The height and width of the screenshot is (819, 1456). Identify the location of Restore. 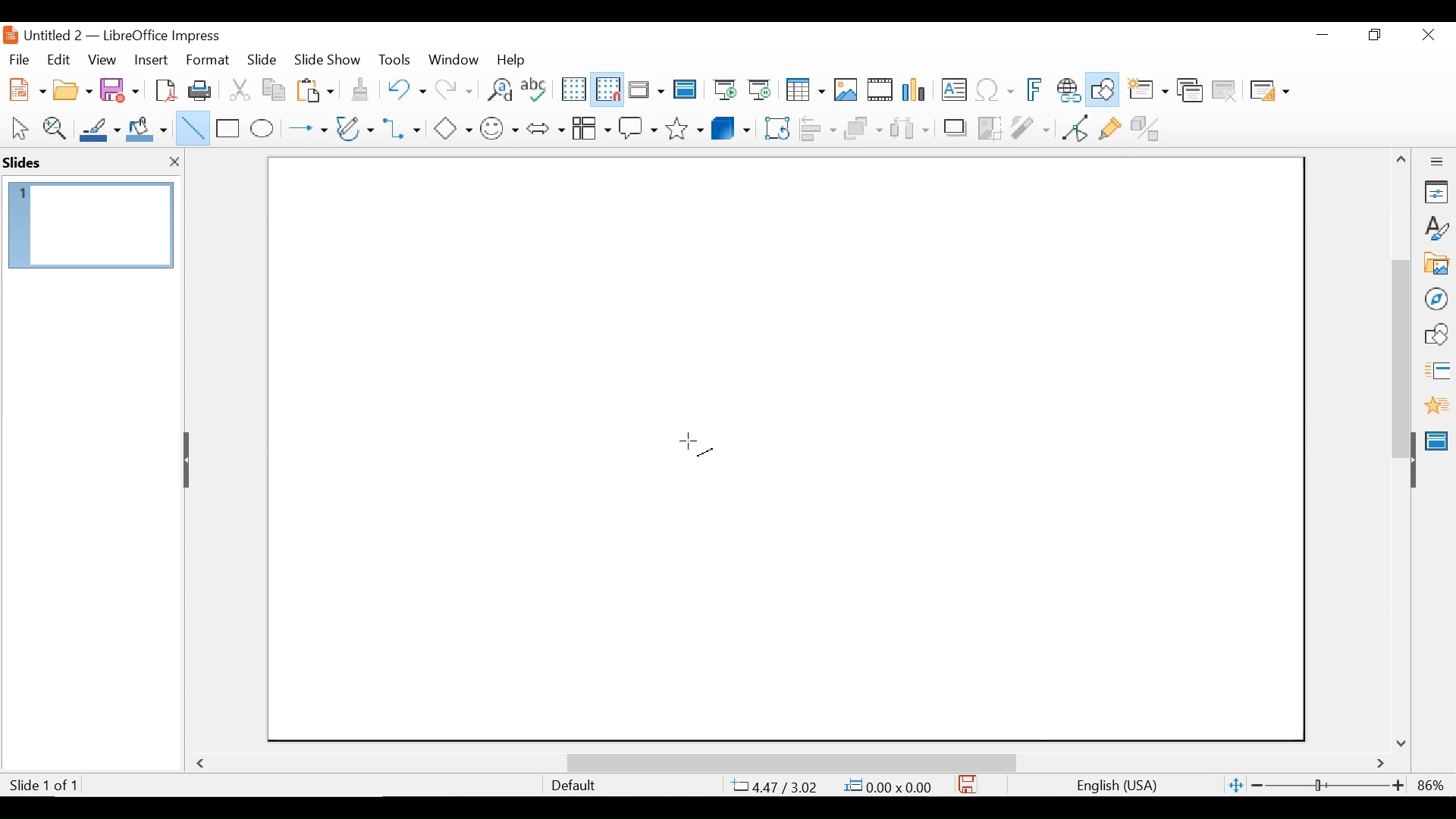
(1373, 35).